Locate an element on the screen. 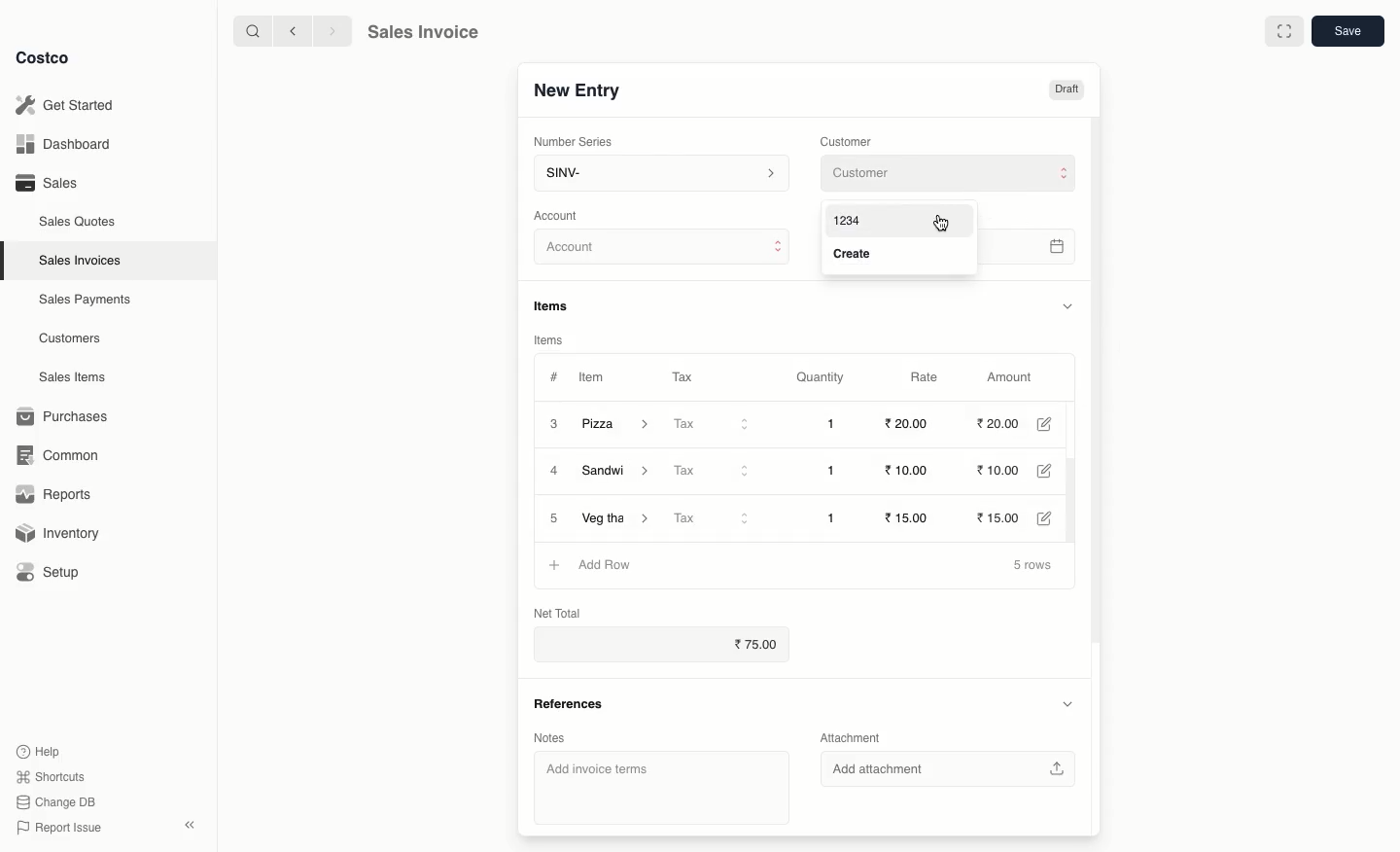 This screenshot has height=852, width=1400. Net Total is located at coordinates (556, 611).